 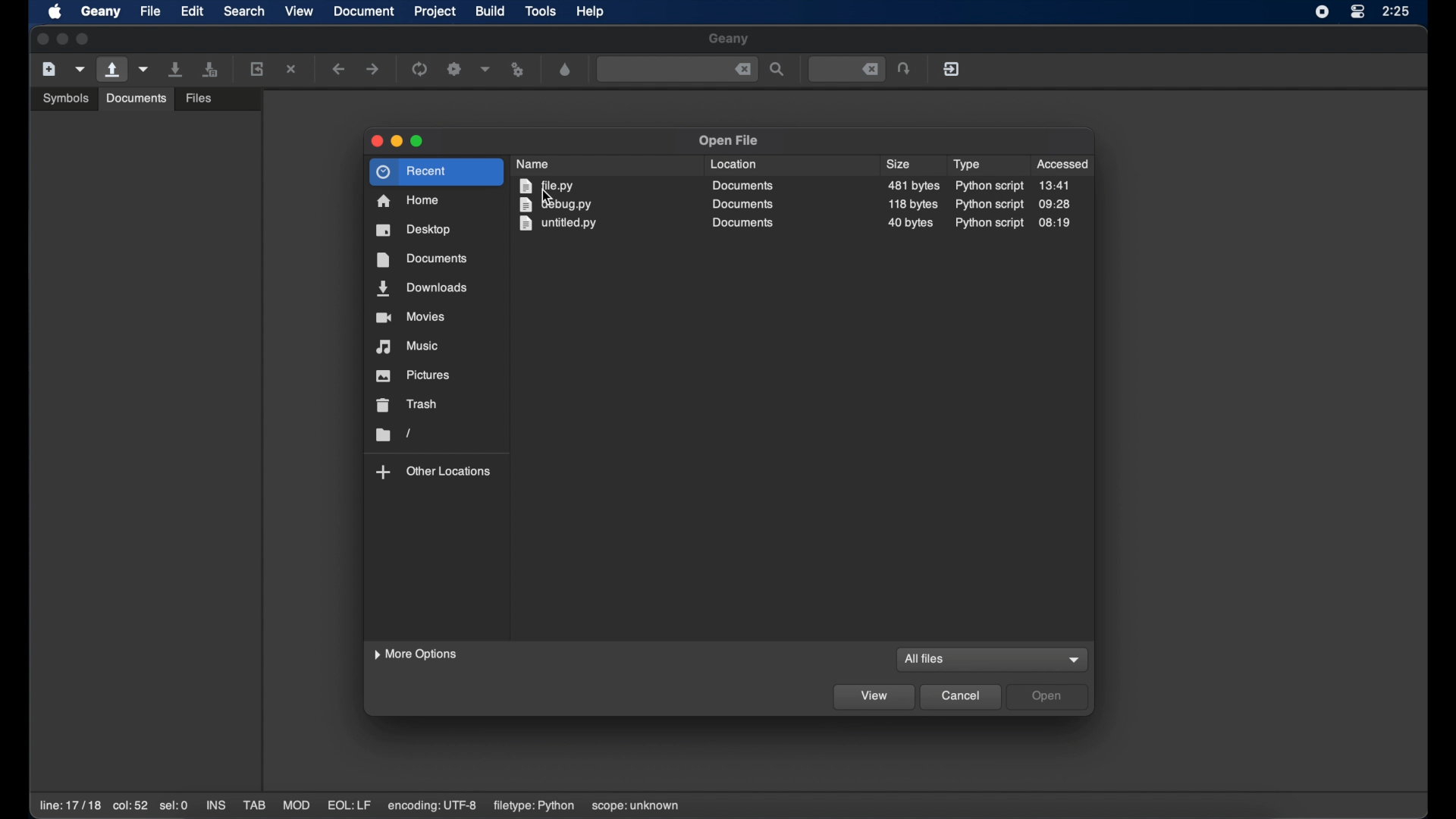 What do you see at coordinates (1056, 184) in the screenshot?
I see `13.41` at bounding box center [1056, 184].